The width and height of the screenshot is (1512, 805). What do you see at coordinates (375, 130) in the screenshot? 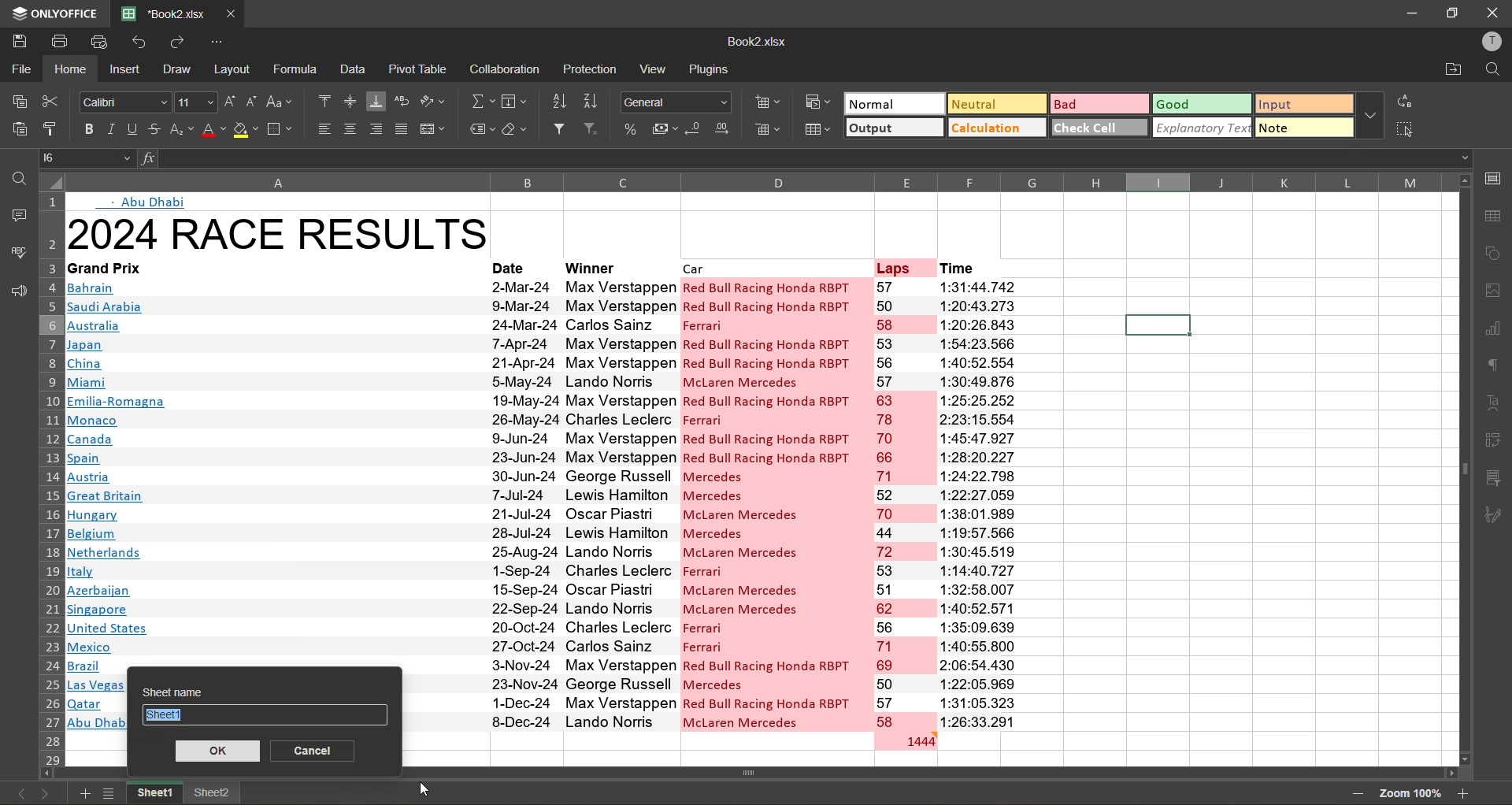
I see `align right` at bounding box center [375, 130].